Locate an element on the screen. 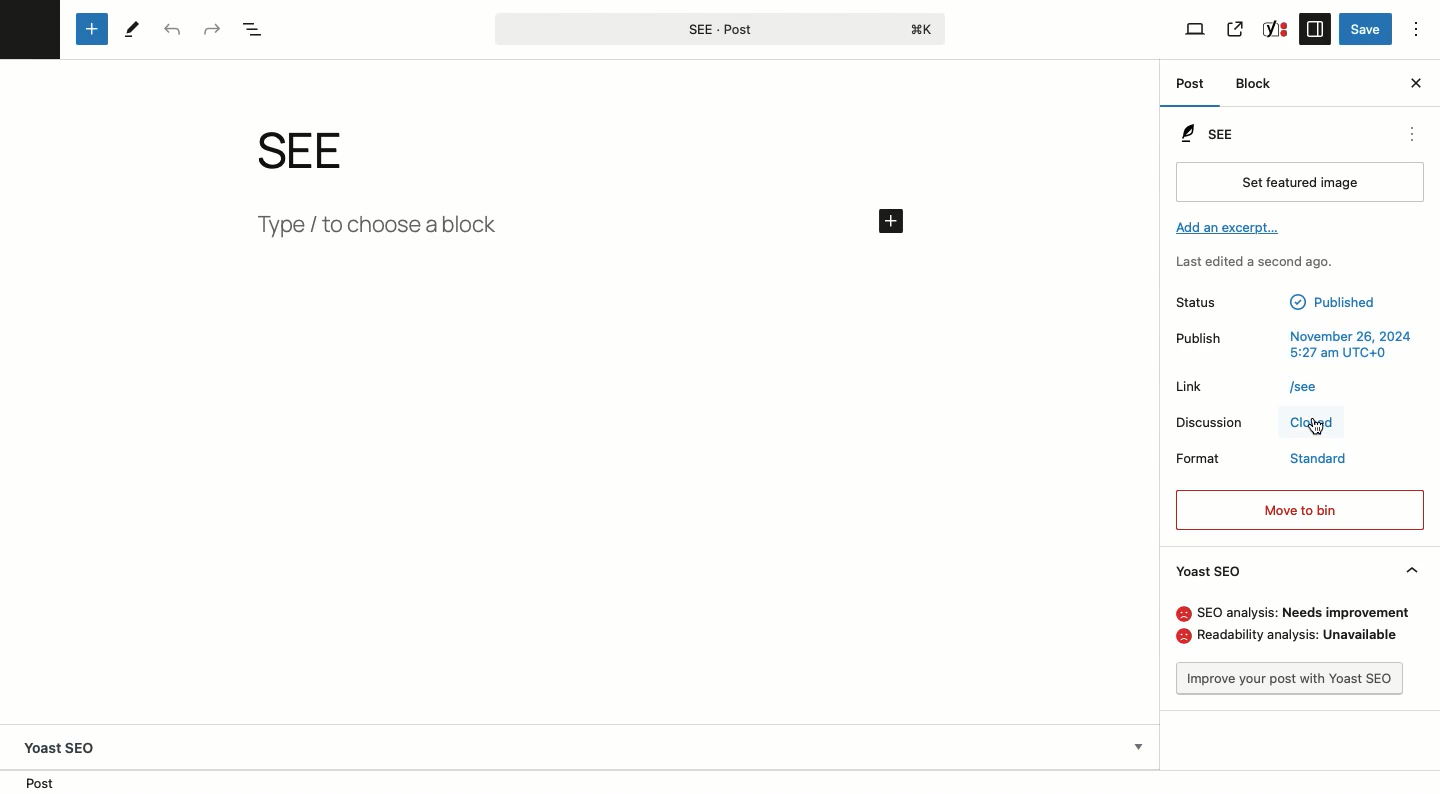 The image size is (1440, 794). Last edited a second ago is located at coordinates (1264, 263).